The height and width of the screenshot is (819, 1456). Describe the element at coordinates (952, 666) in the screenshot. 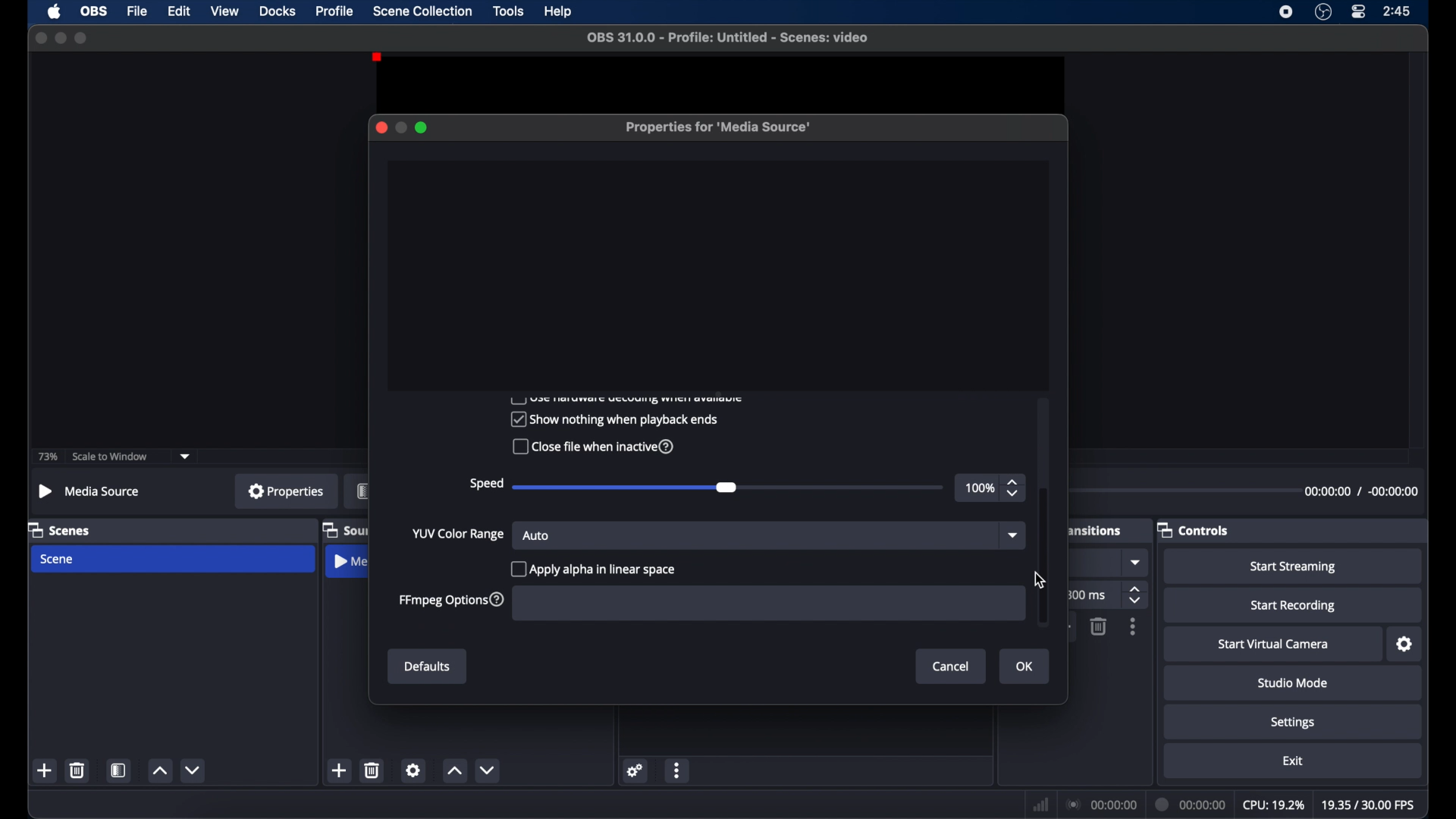

I see `cancel` at that location.